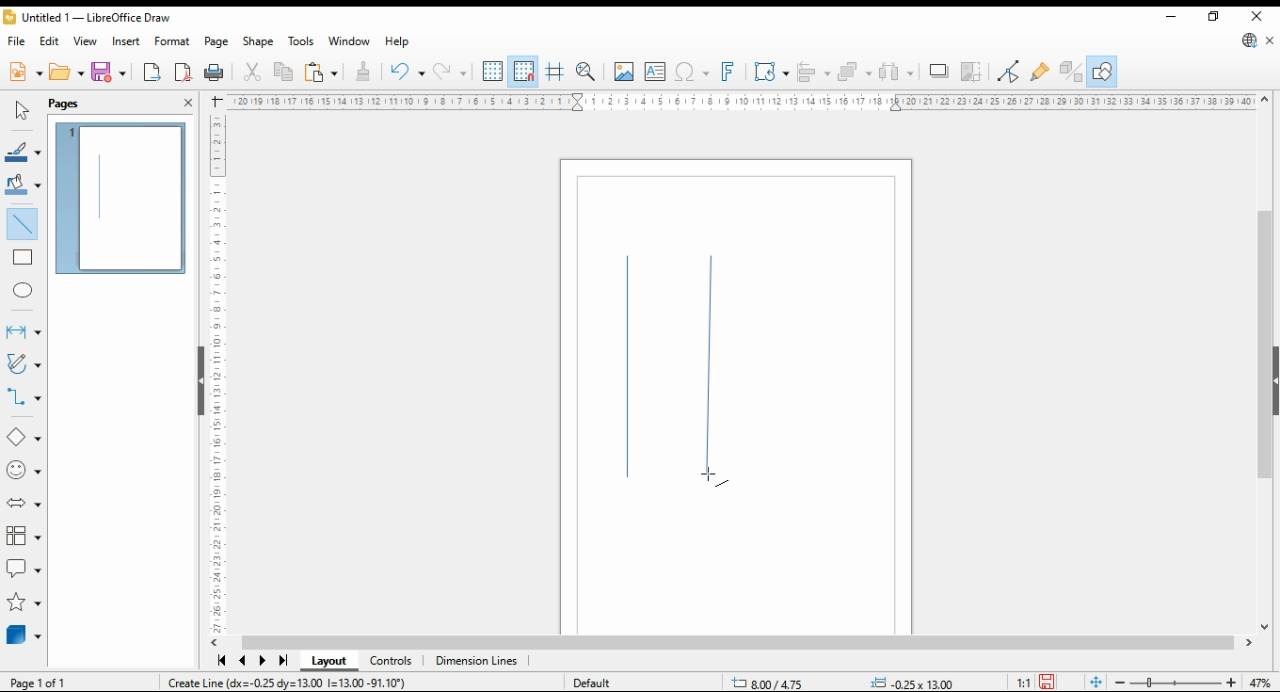  Describe the element at coordinates (219, 369) in the screenshot. I see `vertical scale` at that location.